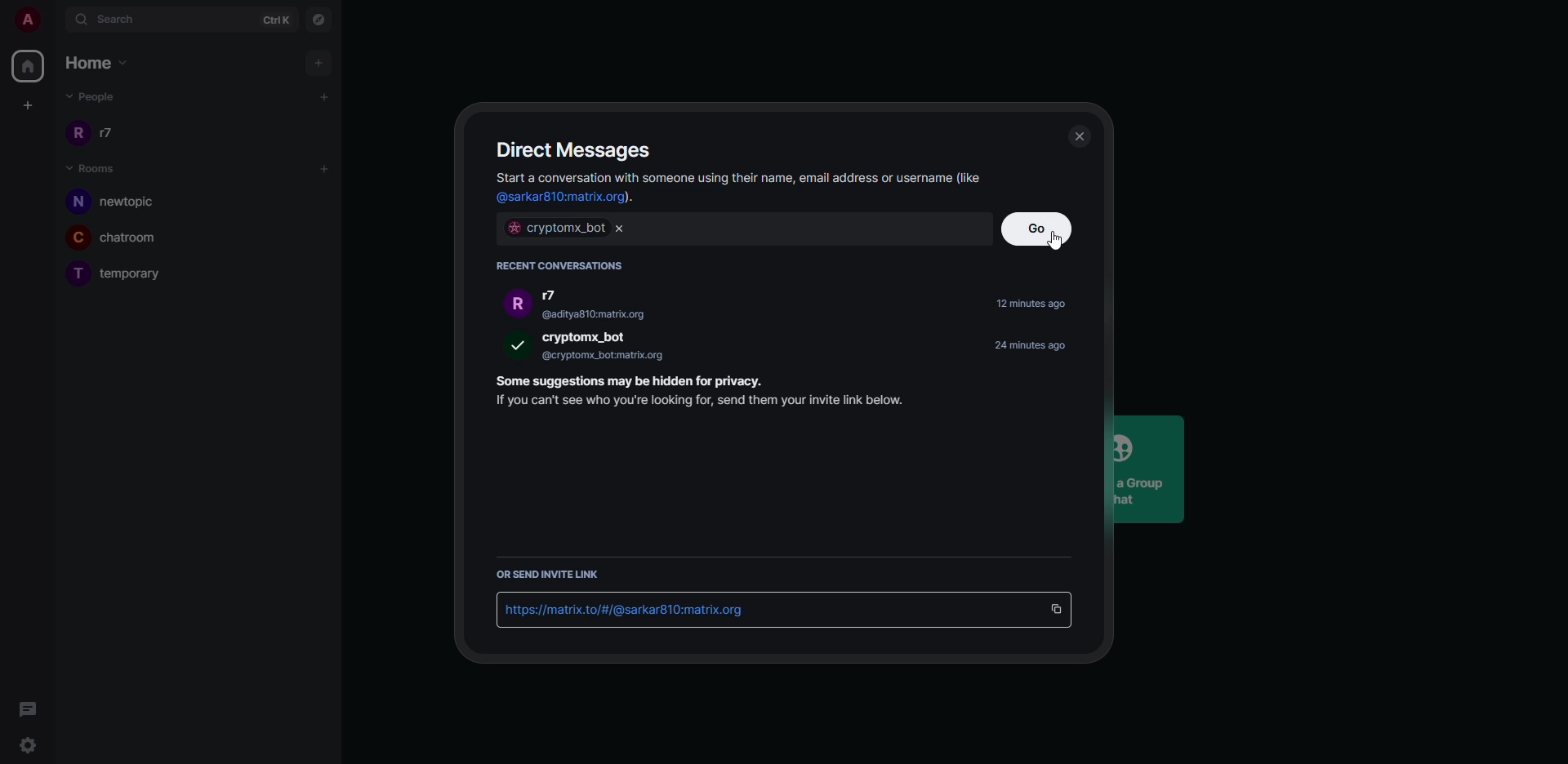  I want to click on n, so click(79, 202).